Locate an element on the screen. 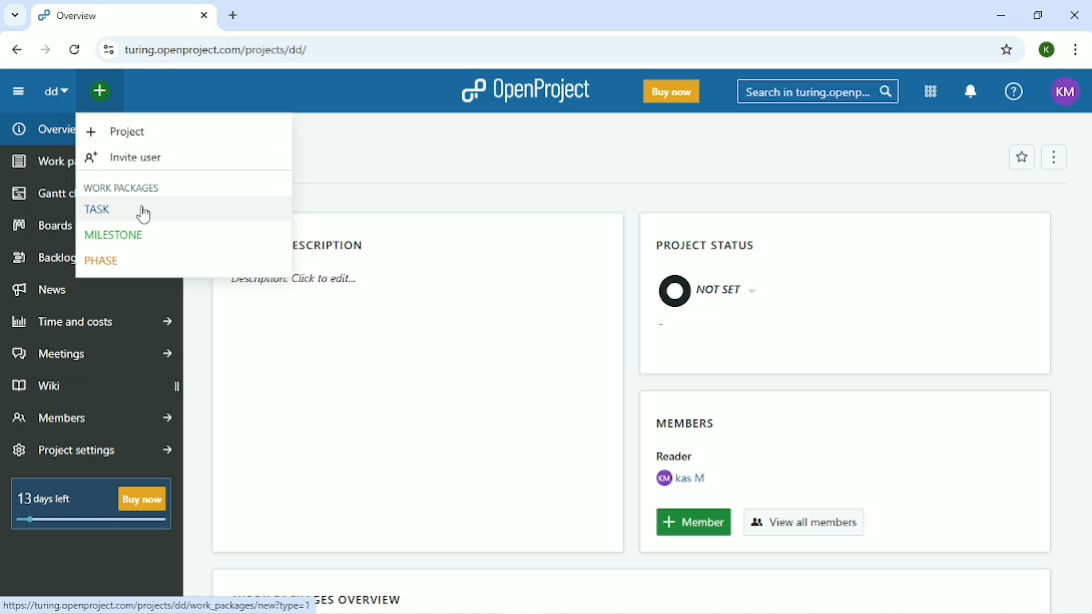 This screenshot has height=614, width=1092. Close is located at coordinates (1076, 15).